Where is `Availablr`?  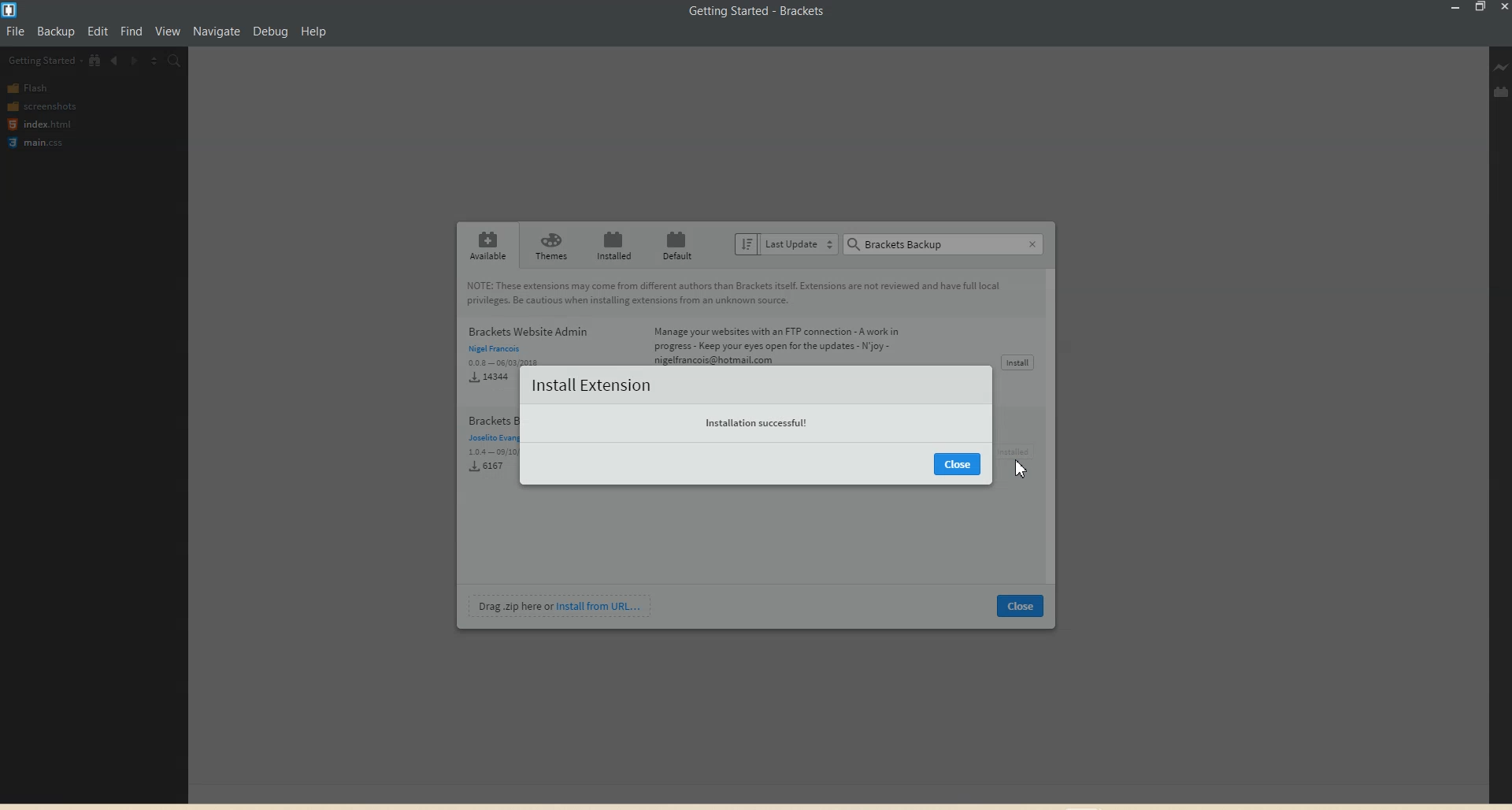 Availablr is located at coordinates (487, 245).